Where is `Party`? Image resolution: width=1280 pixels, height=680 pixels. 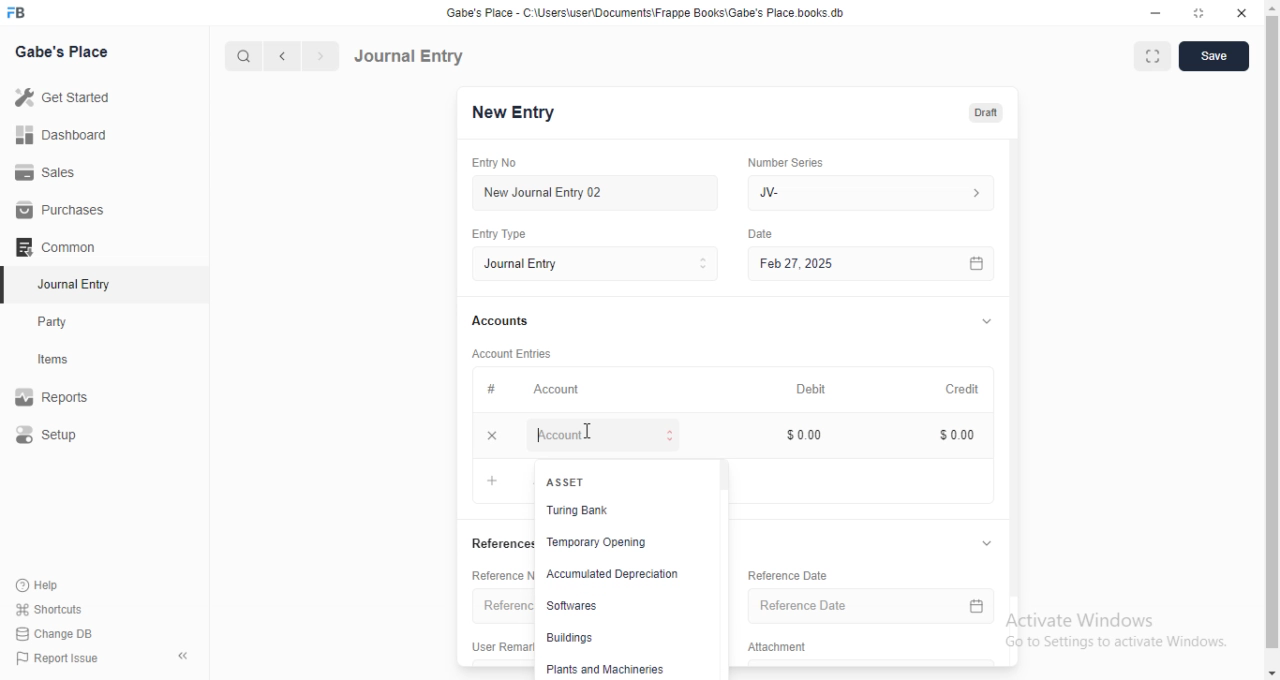
Party is located at coordinates (54, 322).